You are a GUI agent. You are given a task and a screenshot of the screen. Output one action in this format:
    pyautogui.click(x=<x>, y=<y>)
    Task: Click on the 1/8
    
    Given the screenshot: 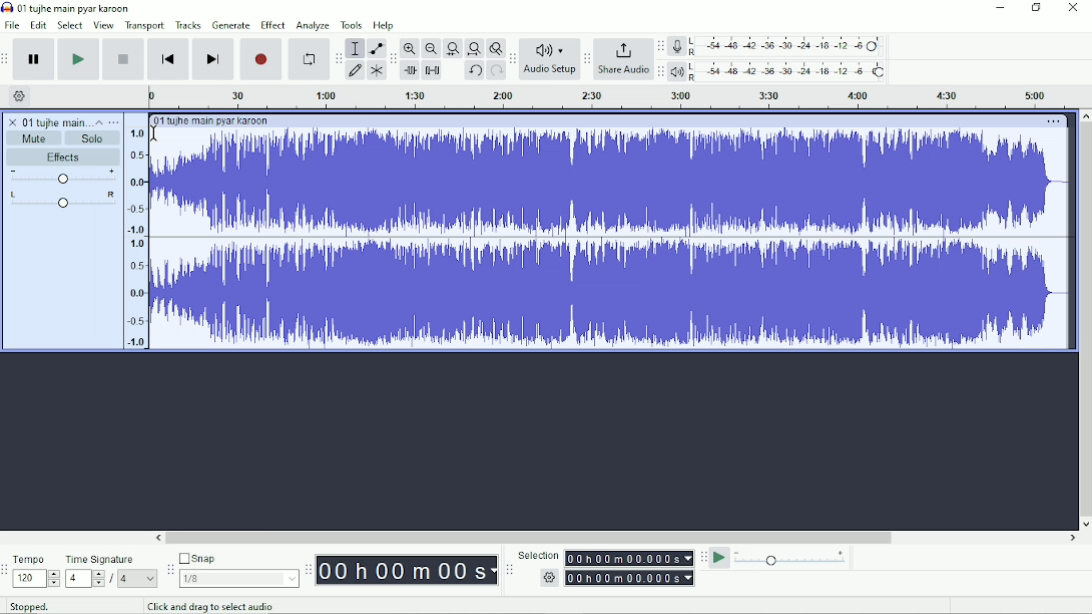 What is the action you would take?
    pyautogui.click(x=239, y=578)
    